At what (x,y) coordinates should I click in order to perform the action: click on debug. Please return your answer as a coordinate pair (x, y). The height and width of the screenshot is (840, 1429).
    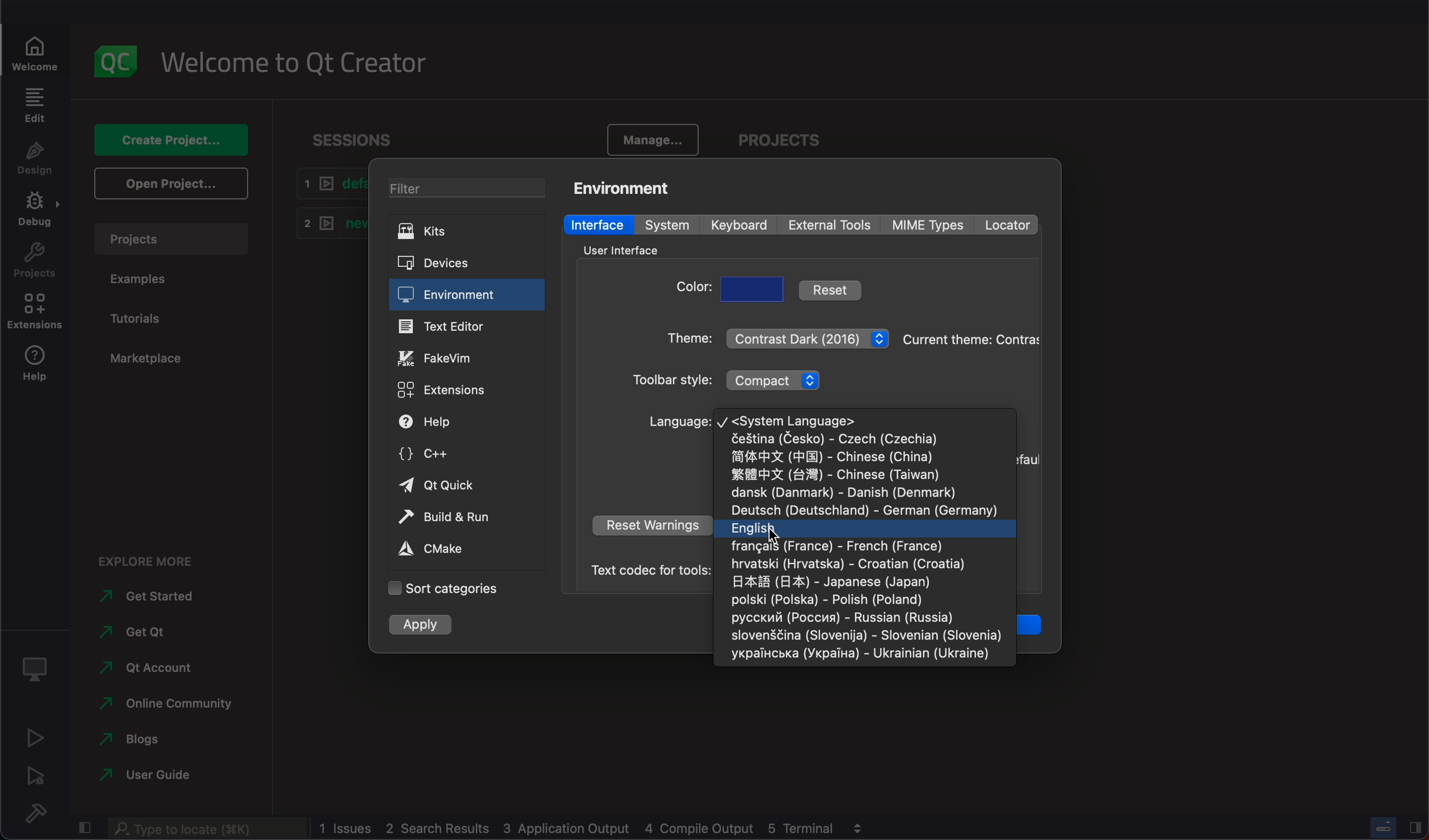
    Looking at the image, I should click on (36, 211).